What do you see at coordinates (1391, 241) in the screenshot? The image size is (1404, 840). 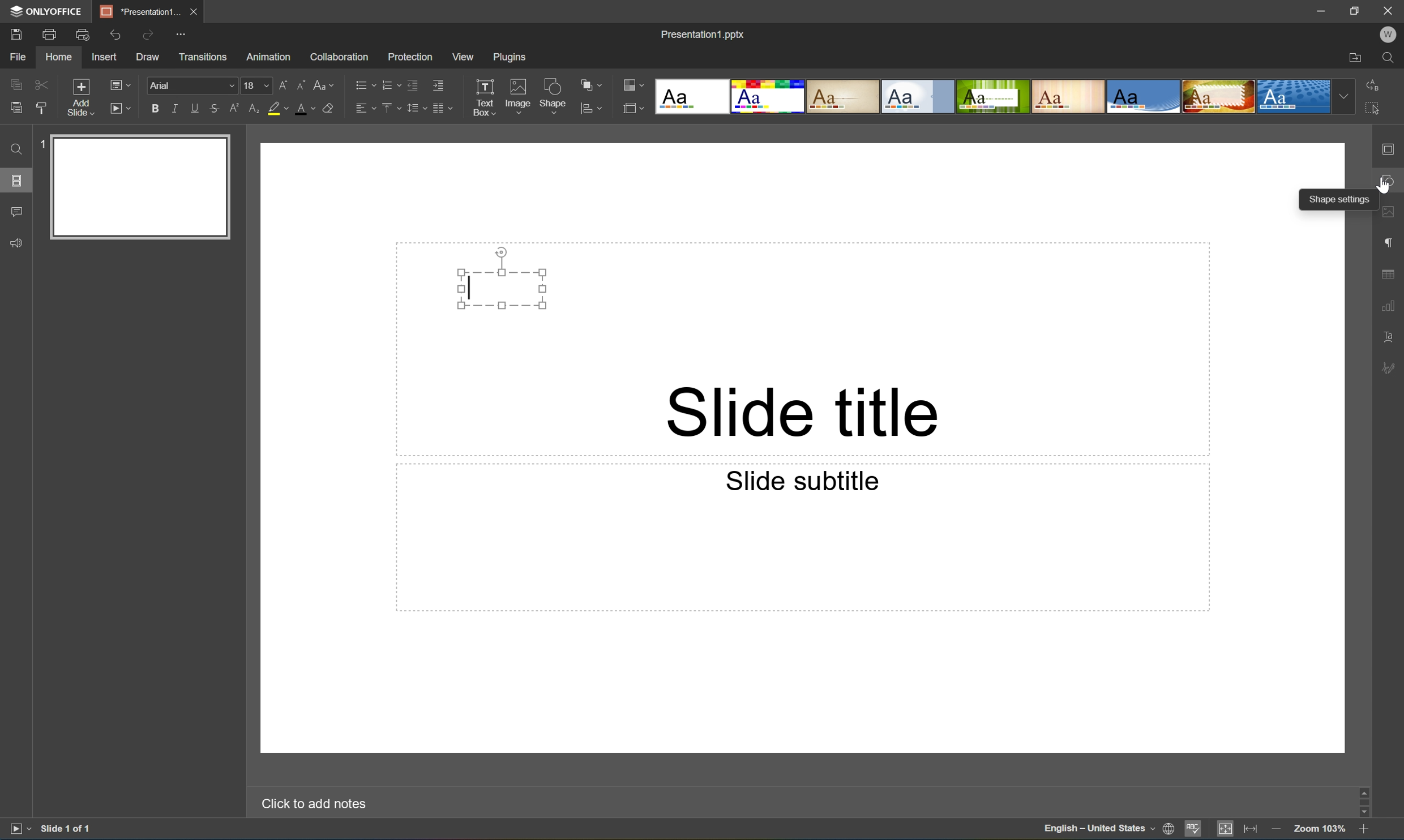 I see `paragraph settings` at bounding box center [1391, 241].